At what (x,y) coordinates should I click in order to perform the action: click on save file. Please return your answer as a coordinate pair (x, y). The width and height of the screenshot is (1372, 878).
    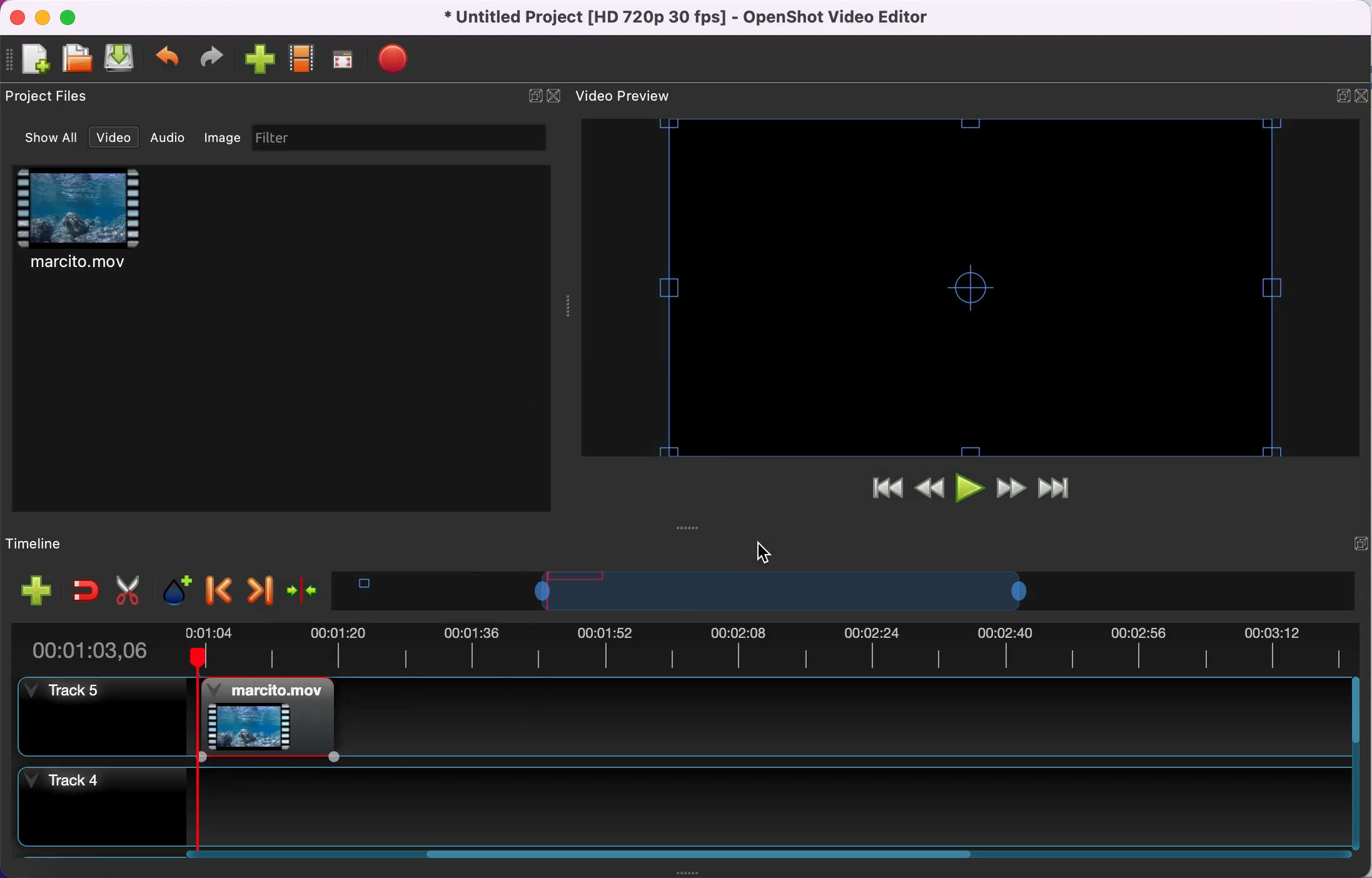
    Looking at the image, I should click on (119, 58).